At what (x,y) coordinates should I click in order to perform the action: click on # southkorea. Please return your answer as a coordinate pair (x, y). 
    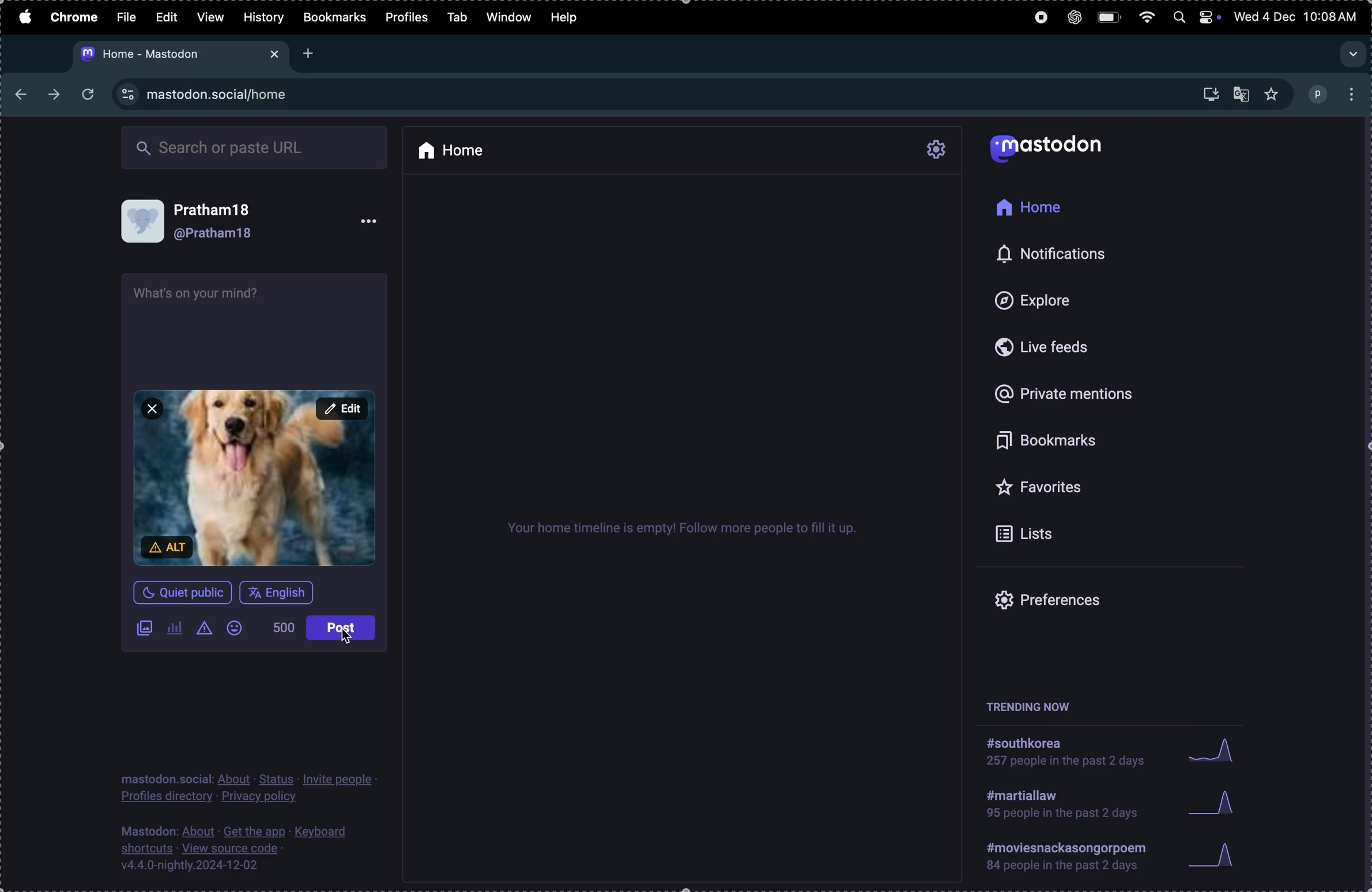
    Looking at the image, I should click on (1064, 756).